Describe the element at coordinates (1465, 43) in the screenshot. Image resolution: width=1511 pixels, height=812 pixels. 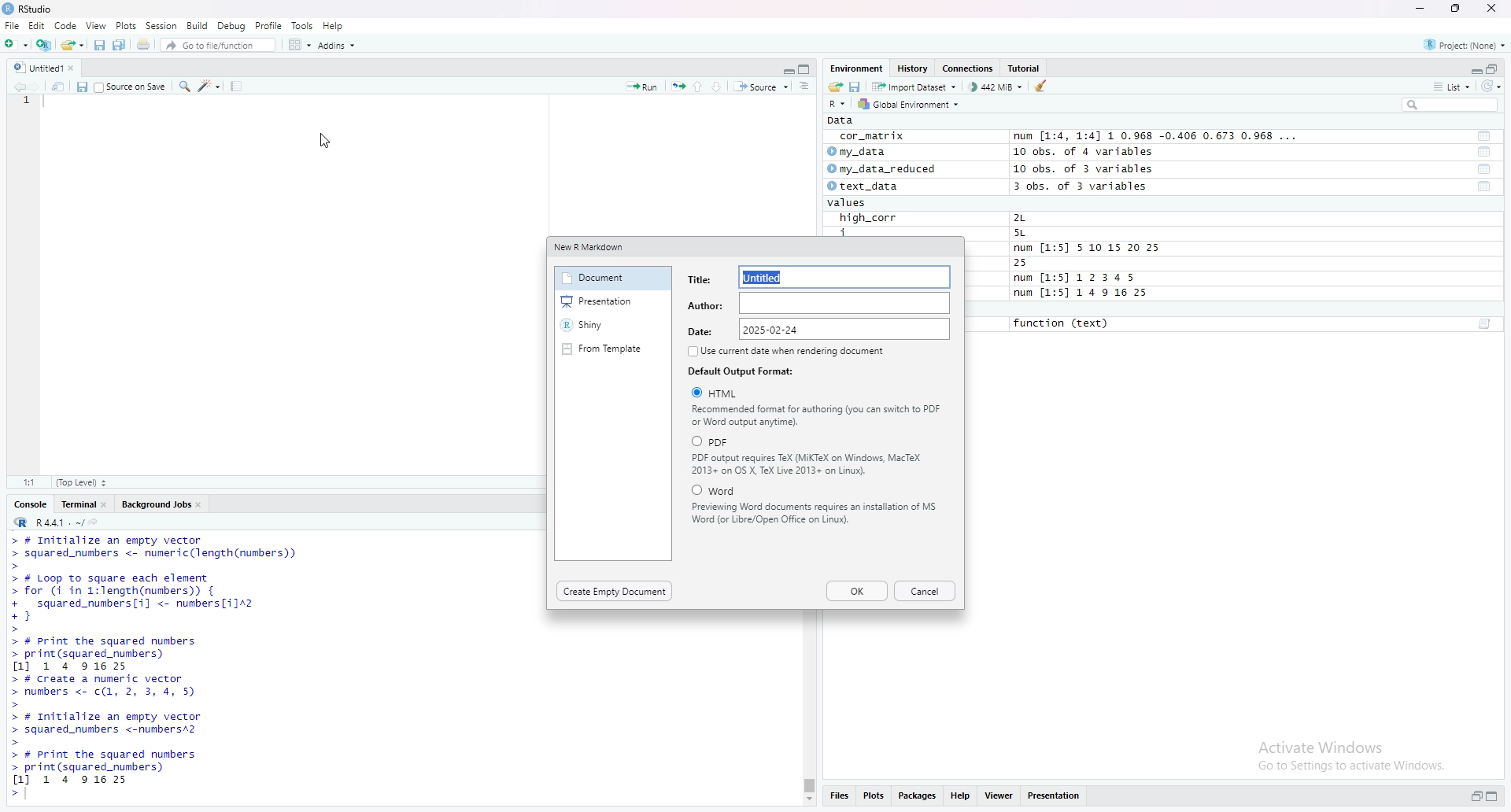
I see `Project none` at that location.